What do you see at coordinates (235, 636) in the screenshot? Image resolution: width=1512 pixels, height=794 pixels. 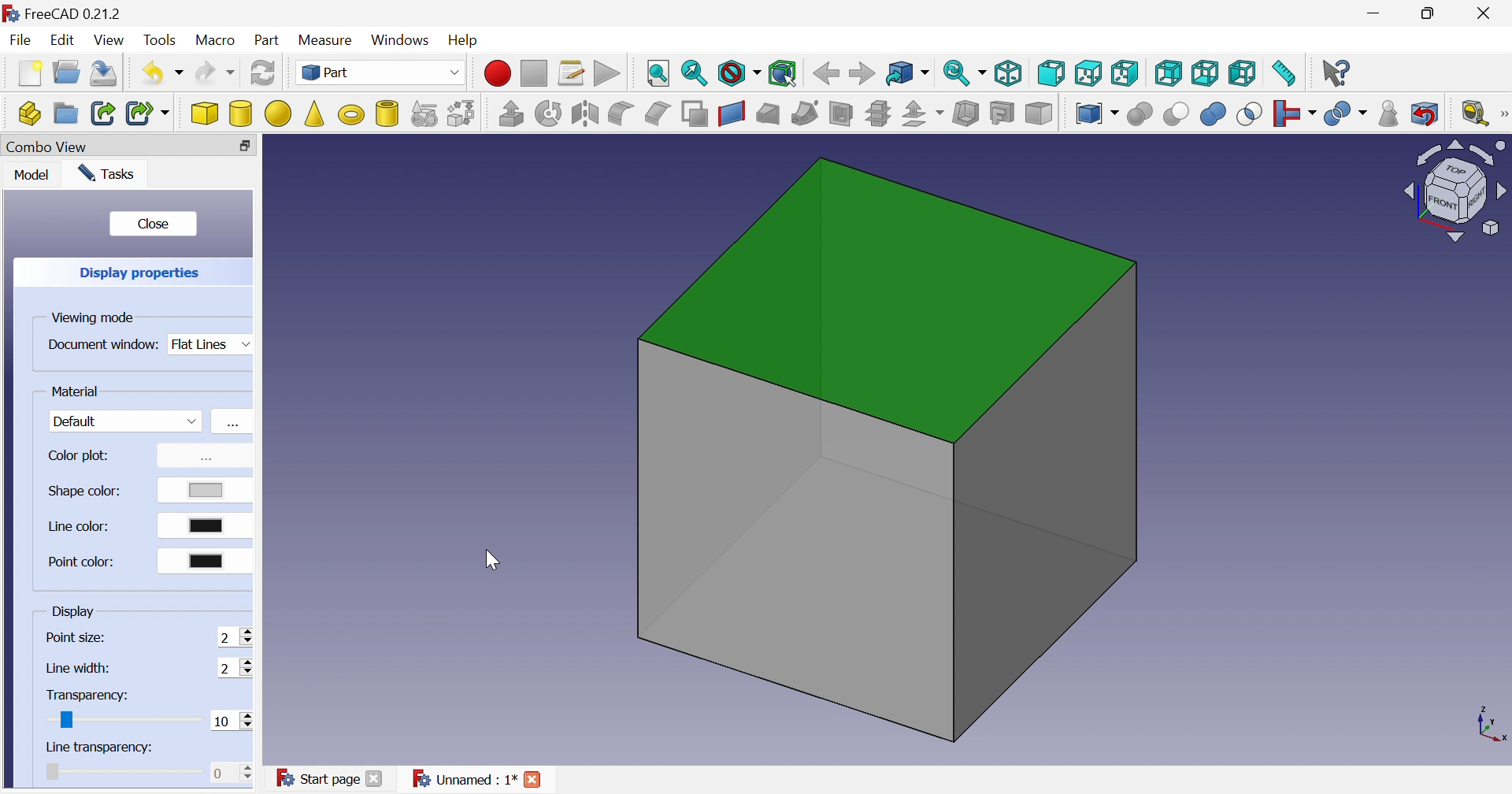 I see `2` at bounding box center [235, 636].